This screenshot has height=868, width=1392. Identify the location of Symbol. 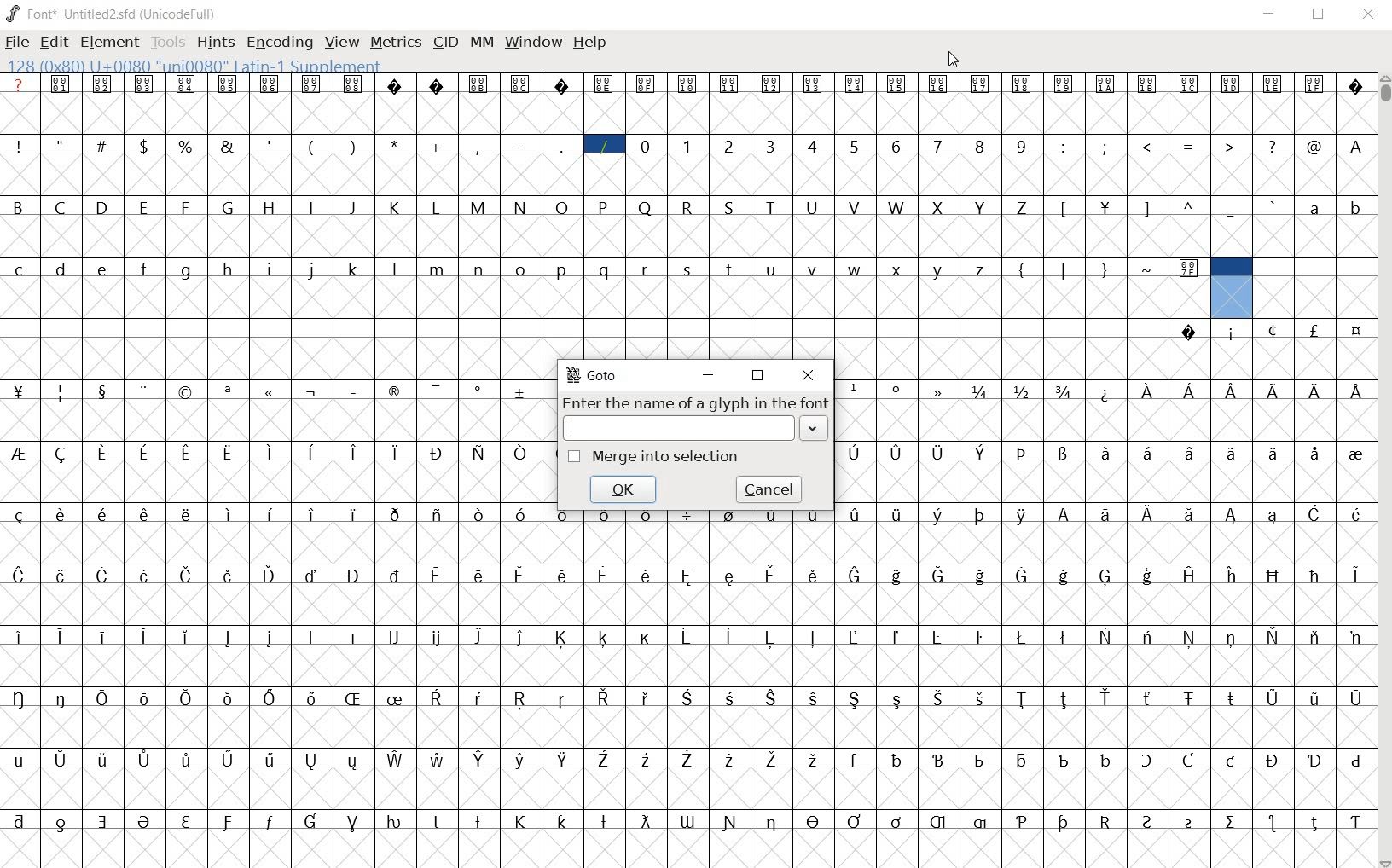
(525, 698).